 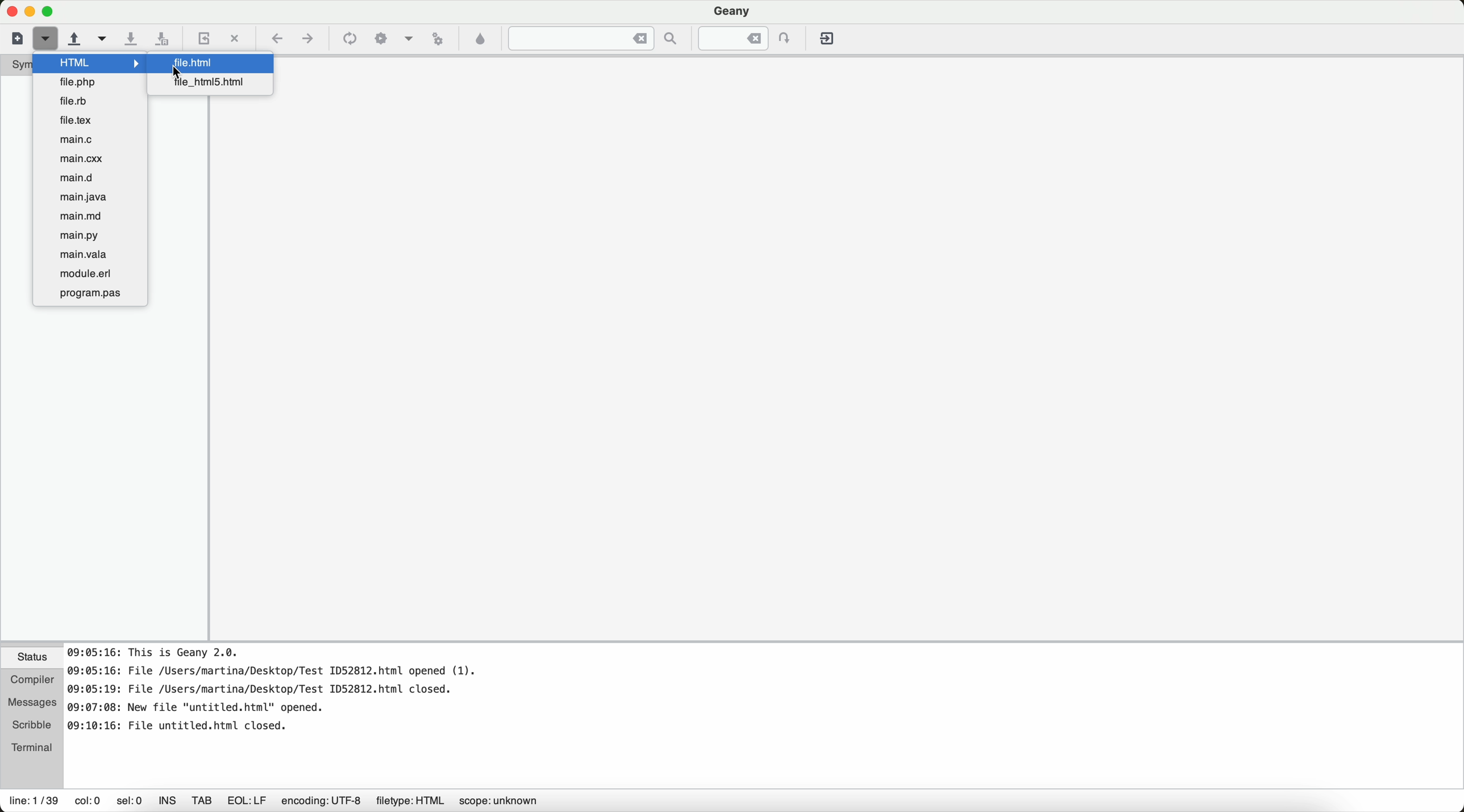 What do you see at coordinates (90, 99) in the screenshot?
I see `file.rb` at bounding box center [90, 99].